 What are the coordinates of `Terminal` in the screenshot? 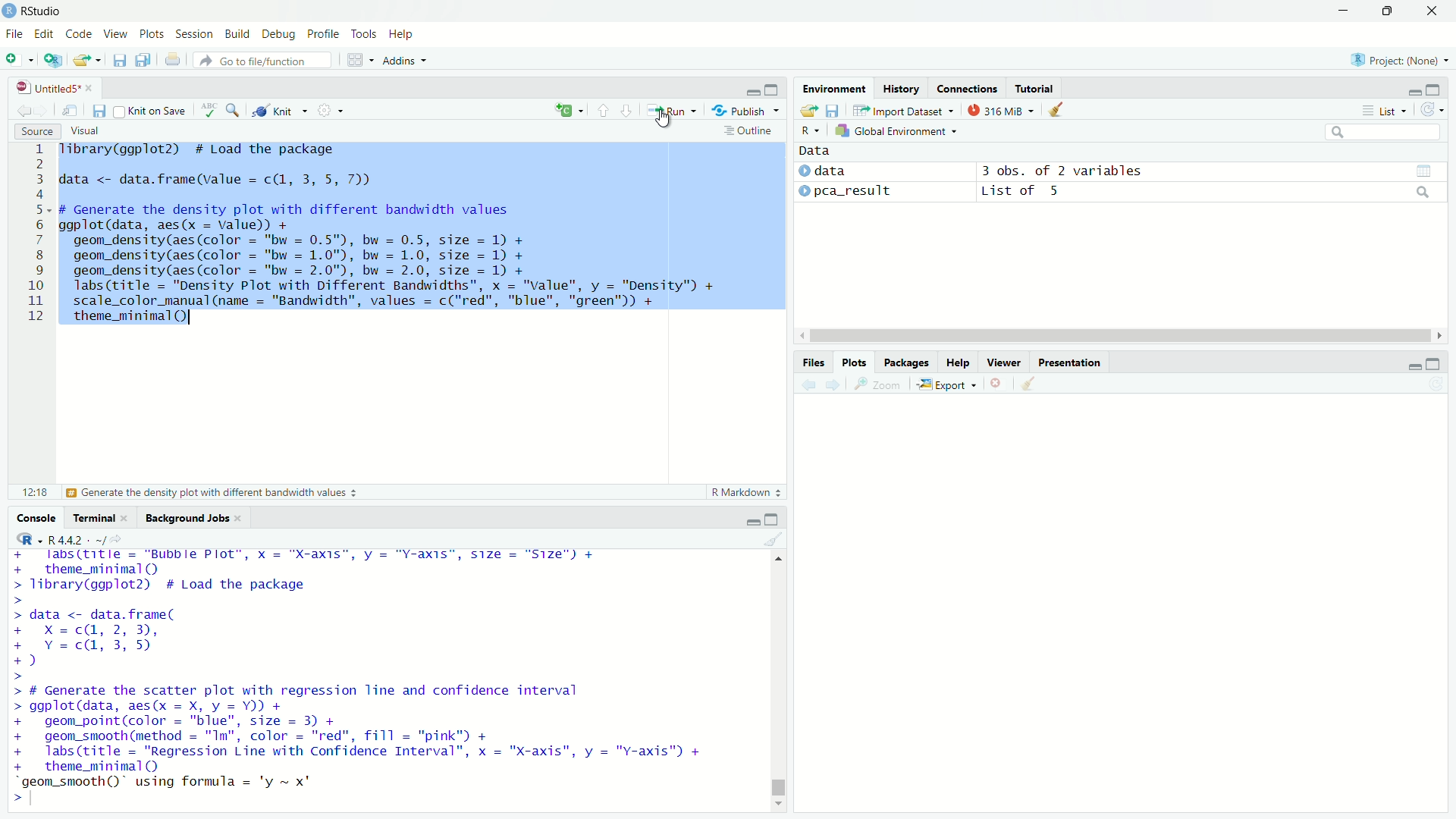 It's located at (93, 517).